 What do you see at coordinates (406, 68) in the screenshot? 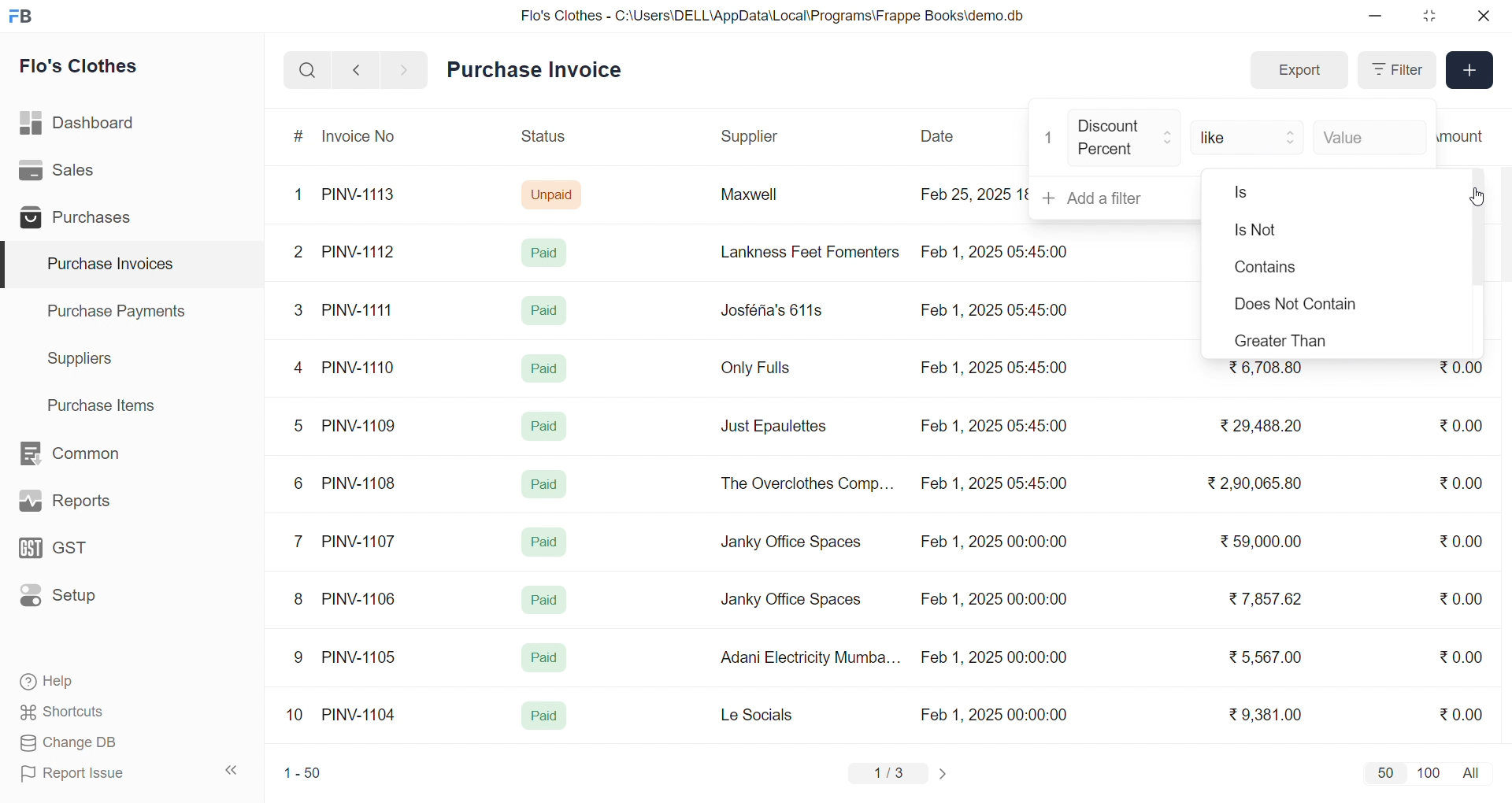
I see `navigate forward` at bounding box center [406, 68].